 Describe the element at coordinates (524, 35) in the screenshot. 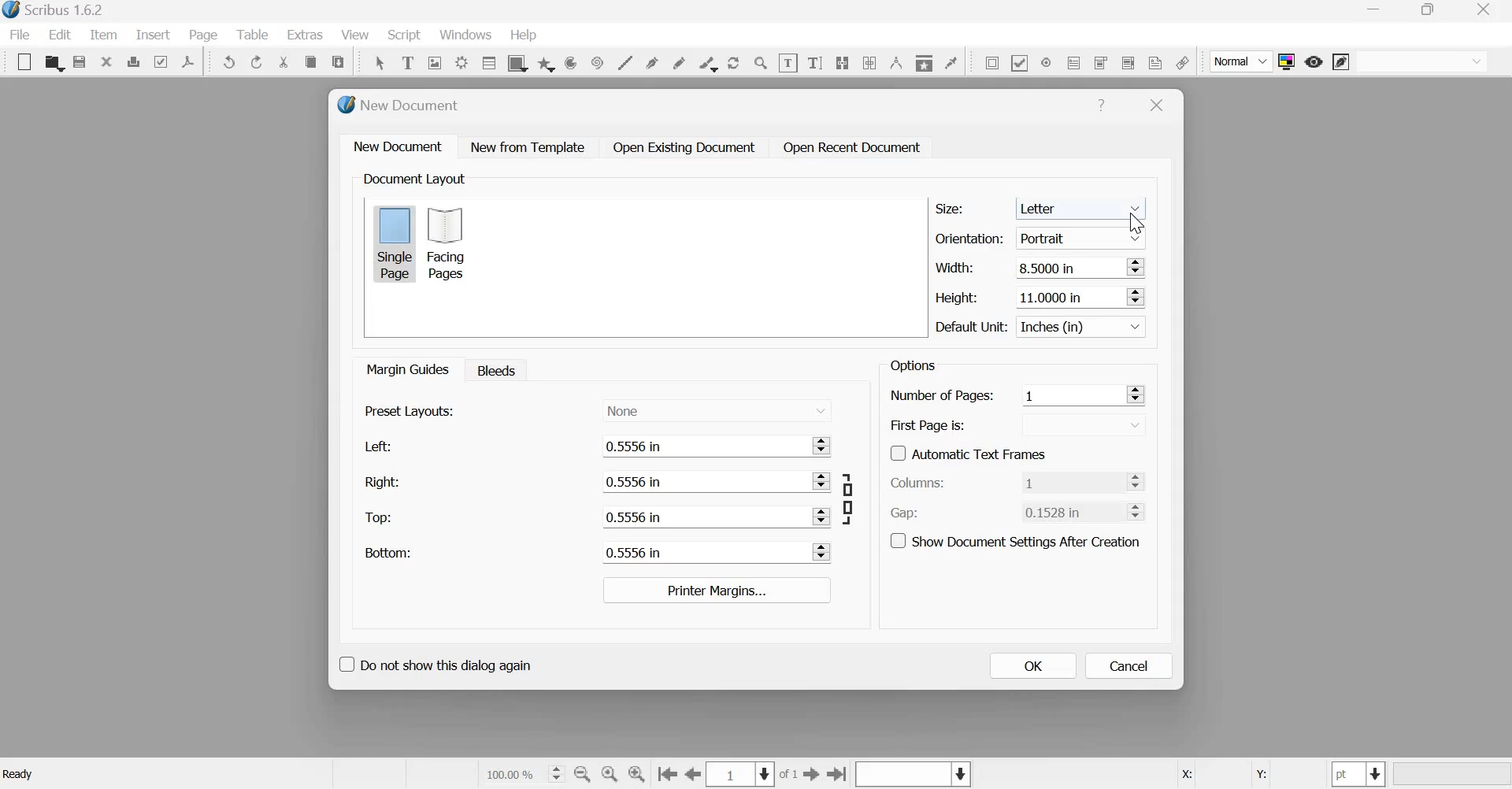

I see `help` at that location.